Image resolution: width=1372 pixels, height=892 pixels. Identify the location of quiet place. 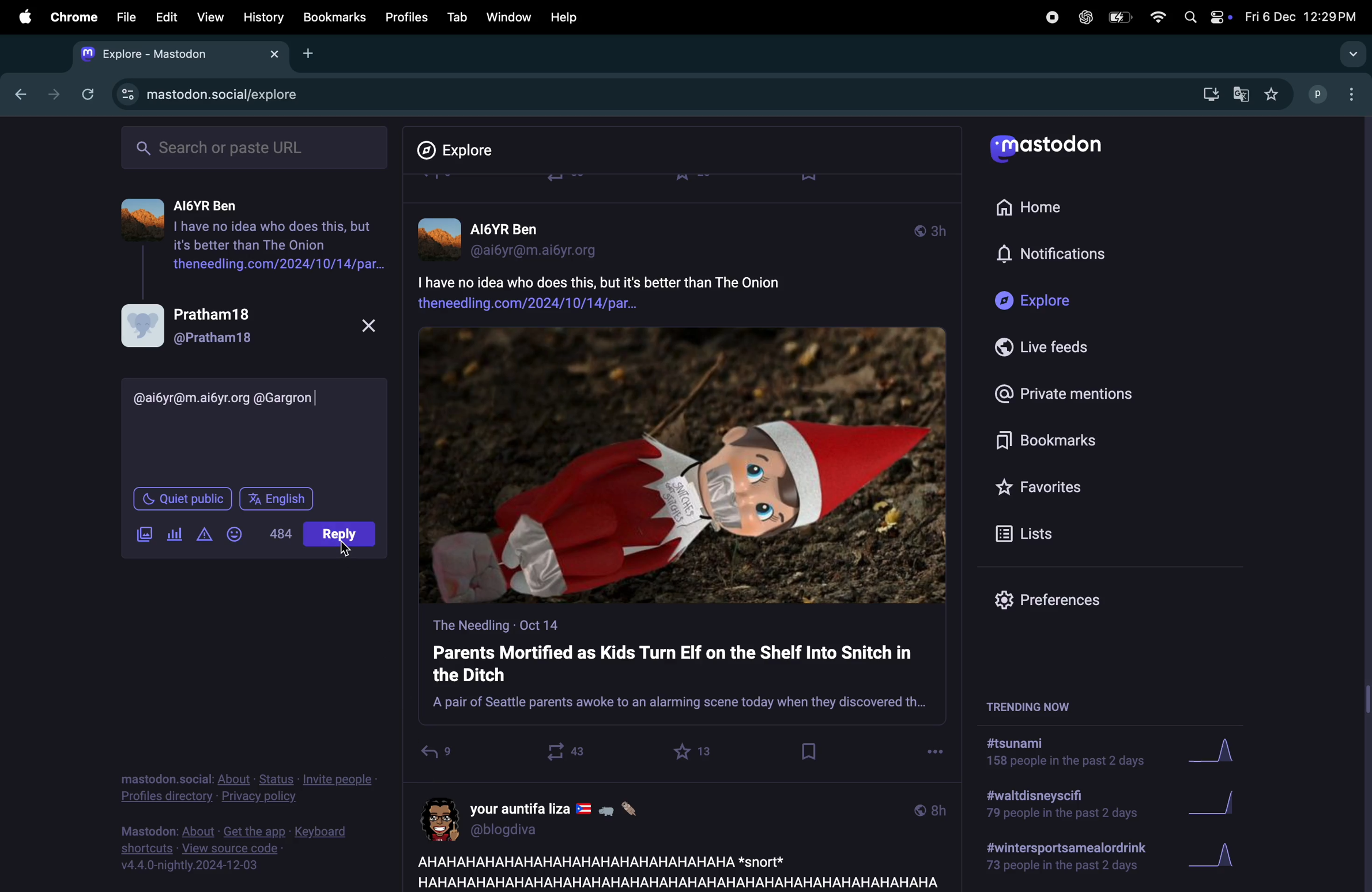
(183, 496).